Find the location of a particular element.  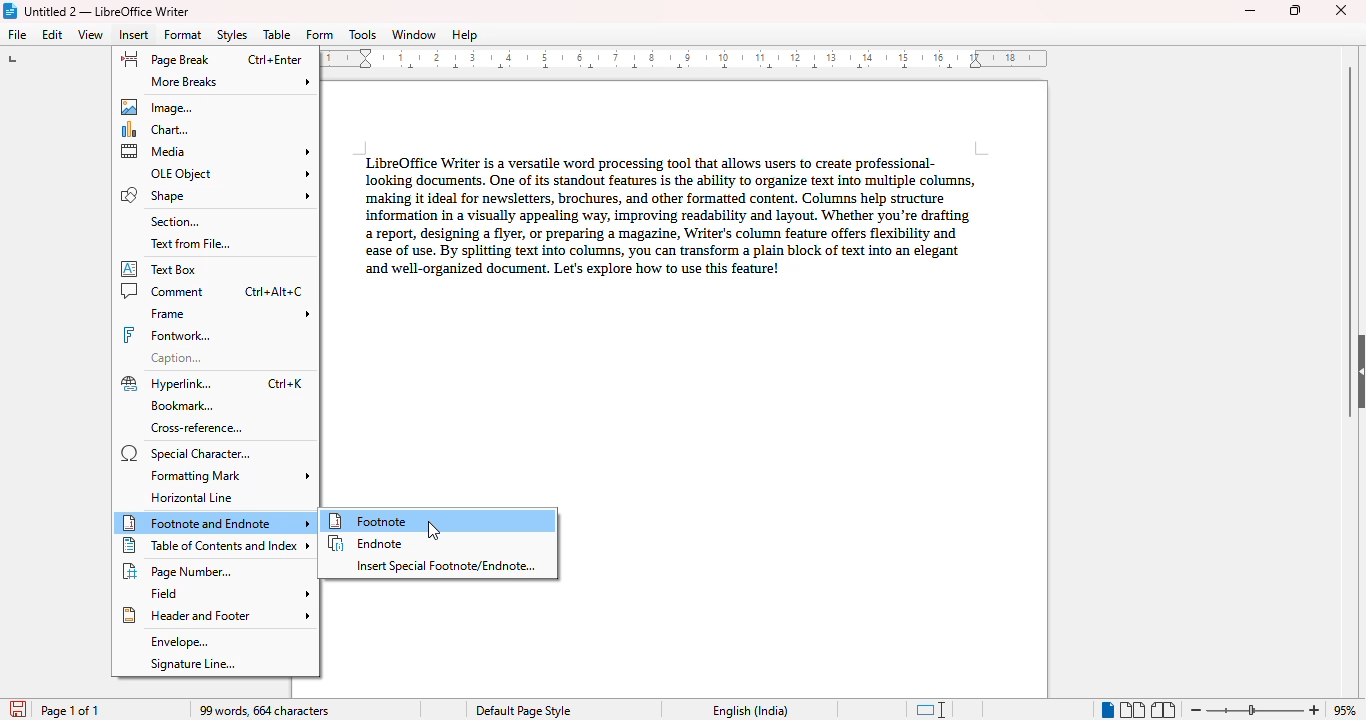

file is located at coordinates (18, 34).